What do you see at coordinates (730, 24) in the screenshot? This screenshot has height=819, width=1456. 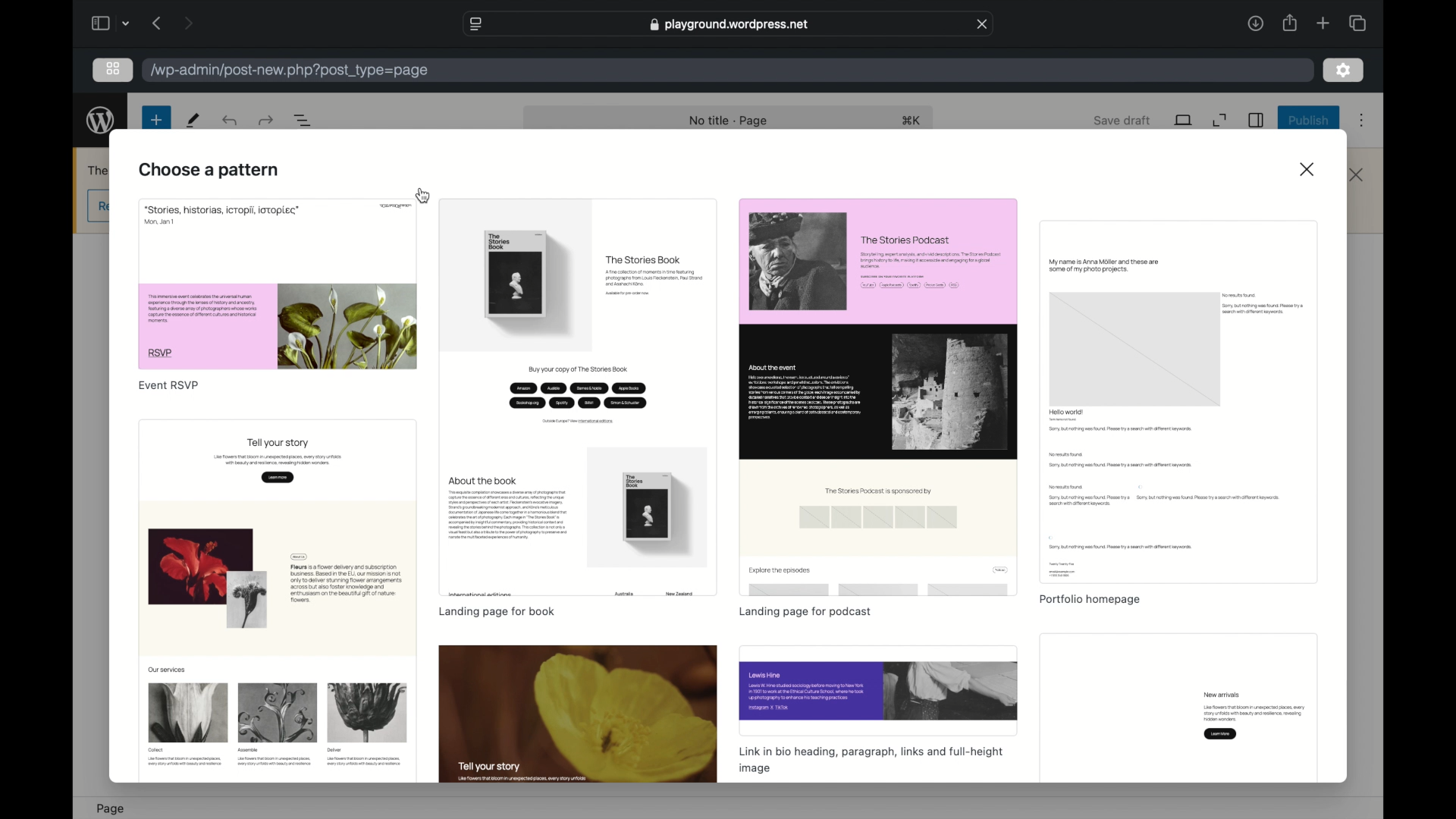 I see `web address` at bounding box center [730, 24].